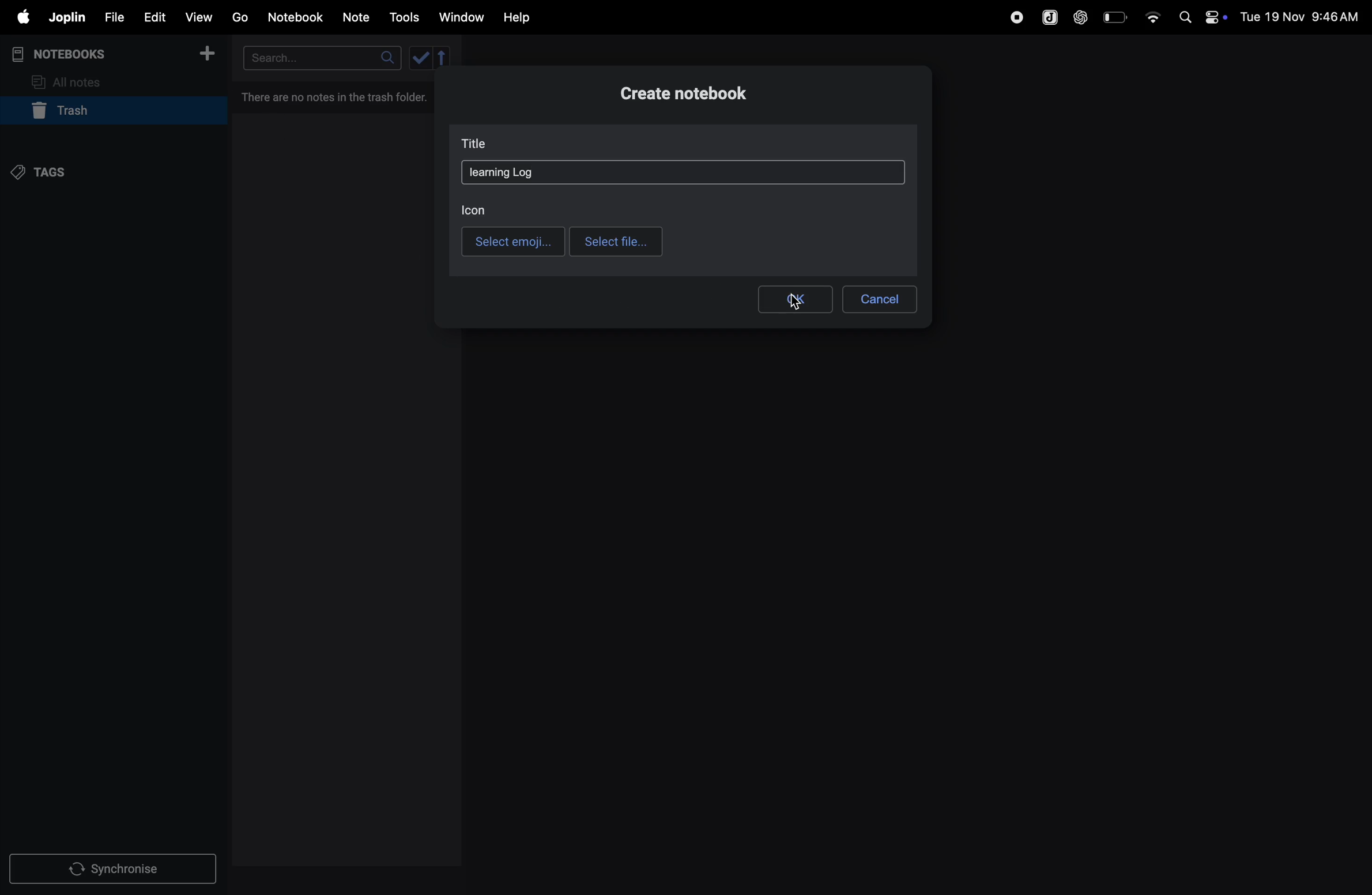  Describe the element at coordinates (1200, 16) in the screenshot. I see `apple widgets` at that location.